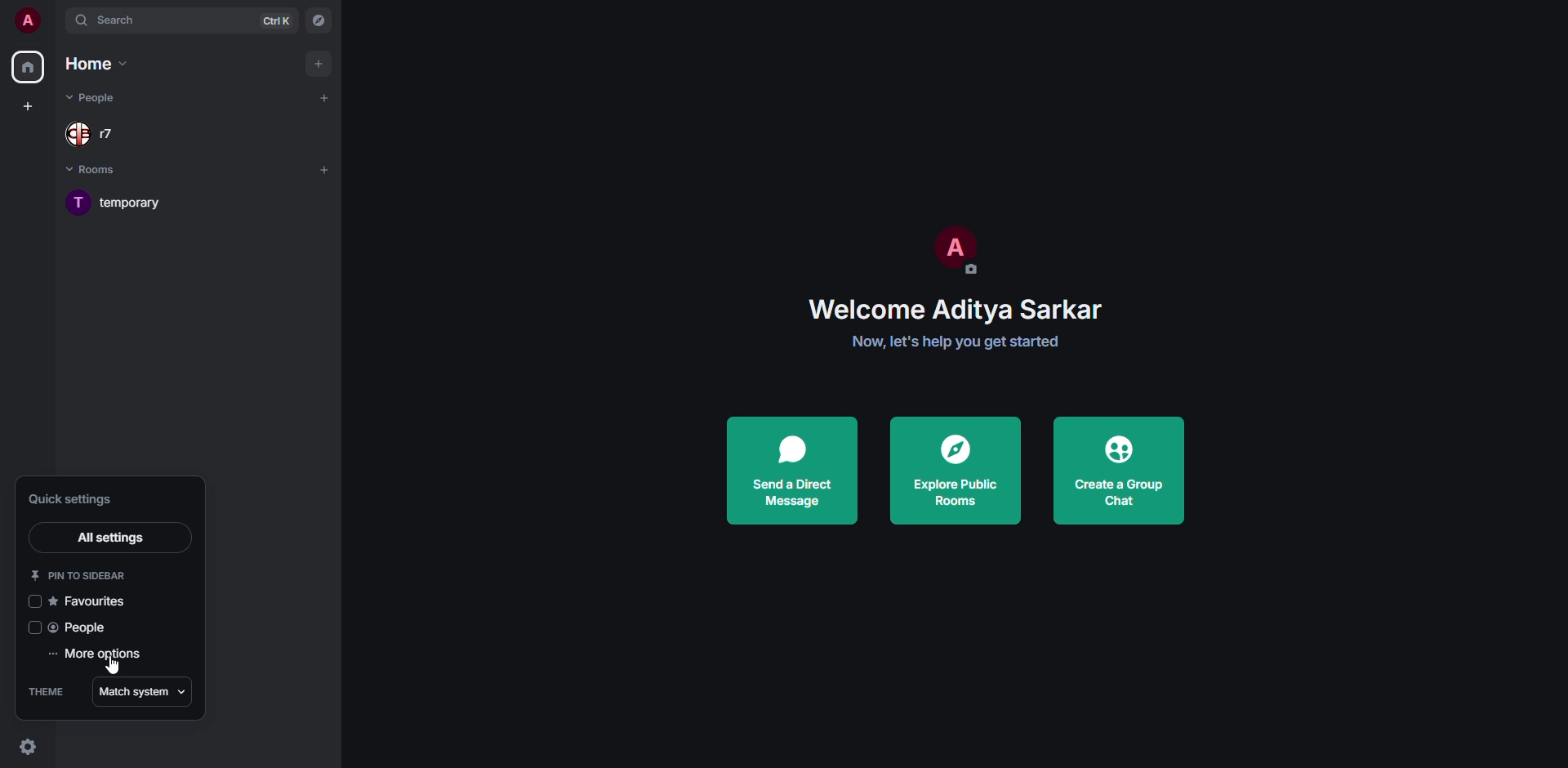 This screenshot has height=768, width=1568. I want to click on send a direct message, so click(790, 471).